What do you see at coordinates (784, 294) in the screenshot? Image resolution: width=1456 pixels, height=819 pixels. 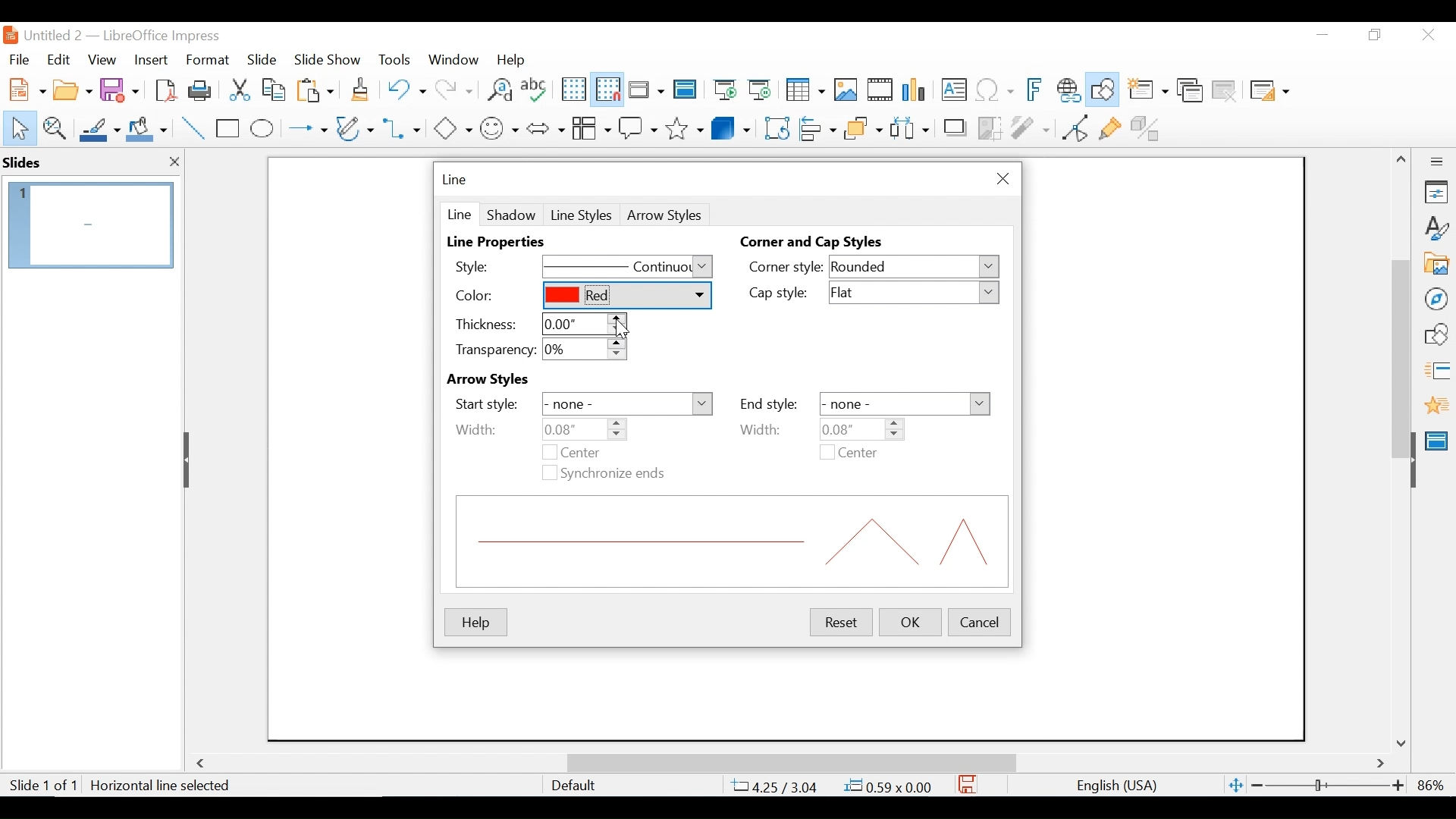 I see `Cap Style` at bounding box center [784, 294].